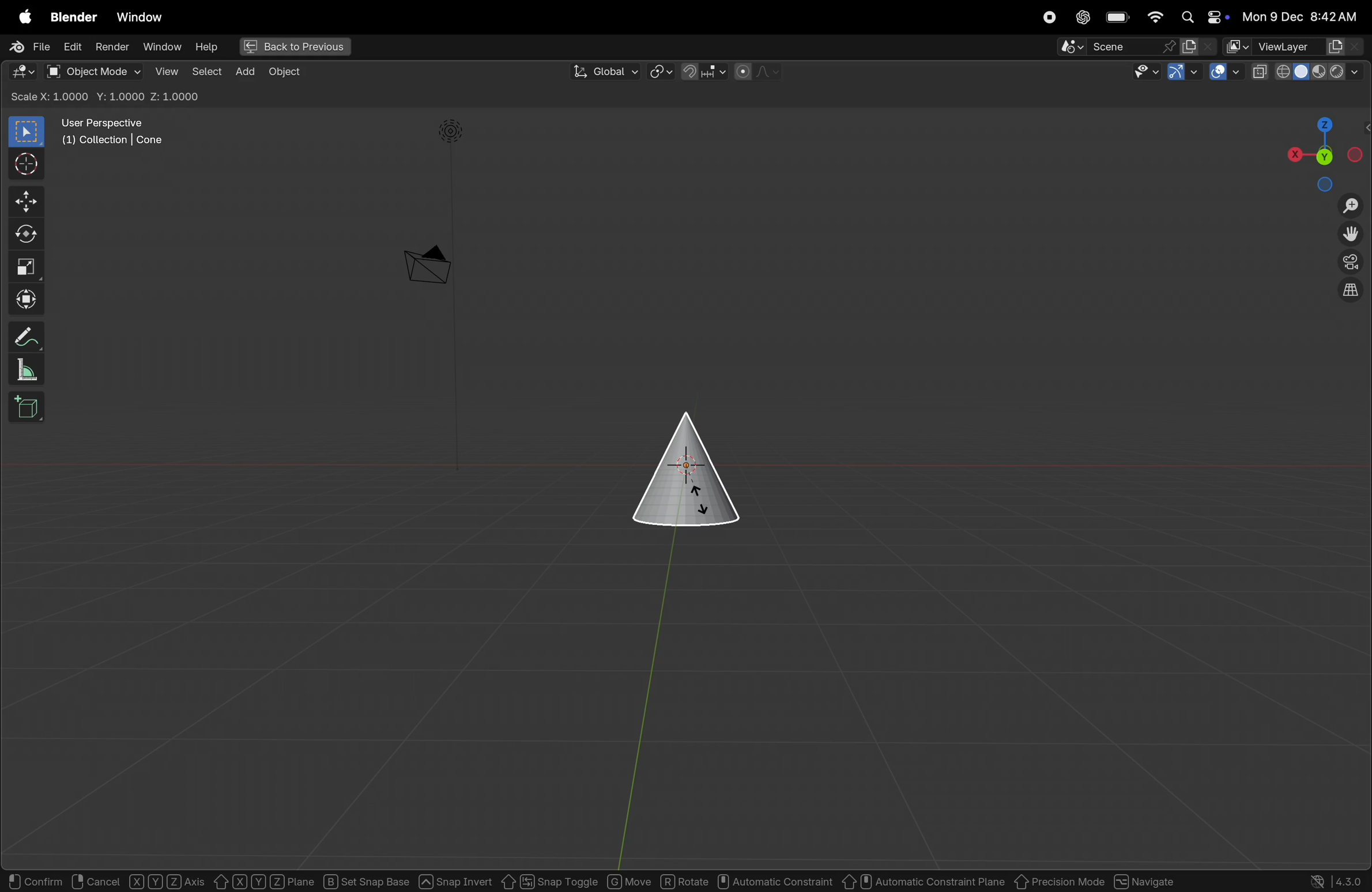 The height and width of the screenshot is (892, 1372). Describe the element at coordinates (91, 882) in the screenshot. I see `rotate view` at that location.